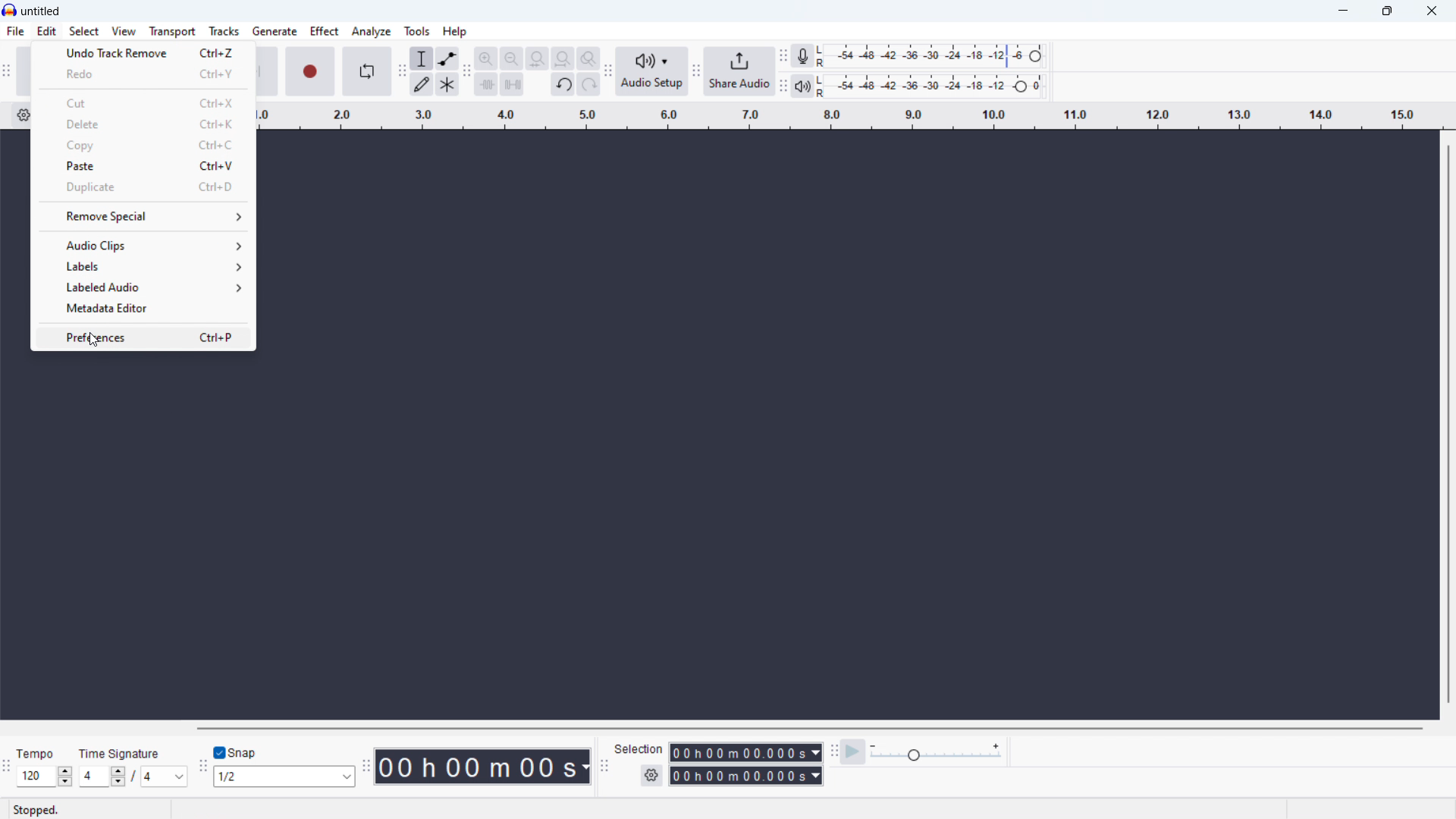  What do you see at coordinates (16, 31) in the screenshot?
I see `file` at bounding box center [16, 31].